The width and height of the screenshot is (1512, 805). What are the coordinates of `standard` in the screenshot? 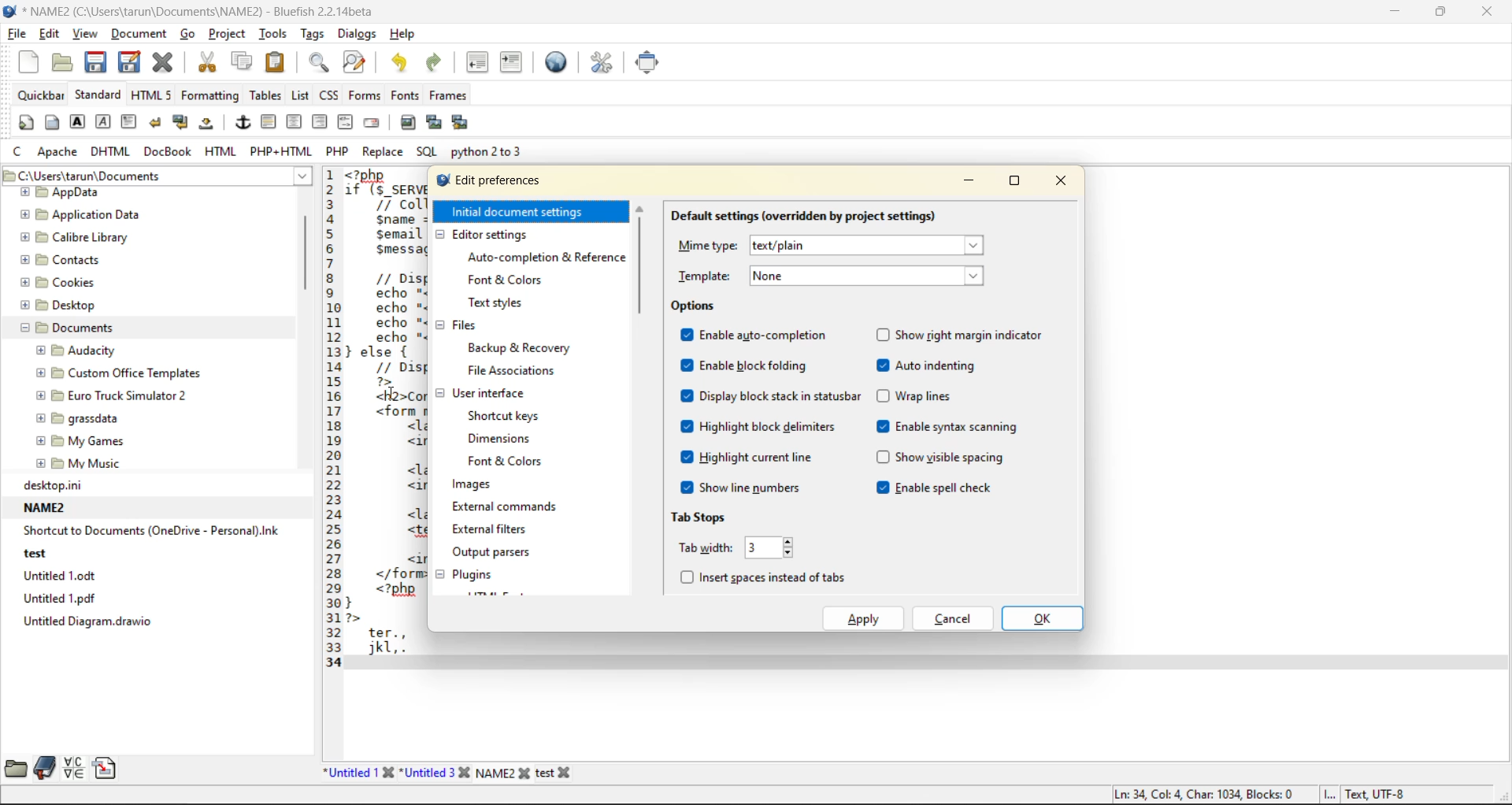 It's located at (100, 95).